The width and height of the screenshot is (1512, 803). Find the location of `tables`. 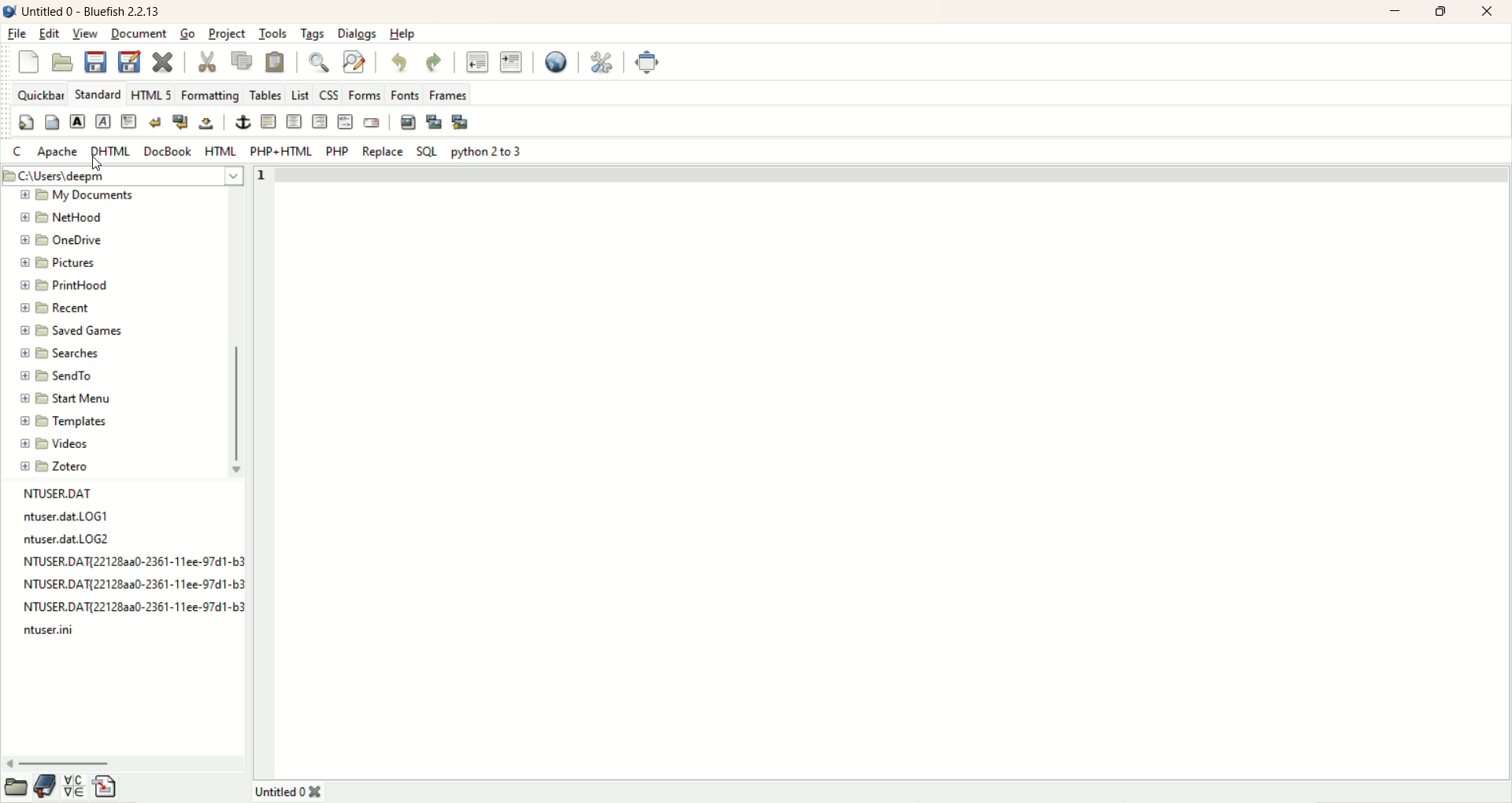

tables is located at coordinates (265, 94).